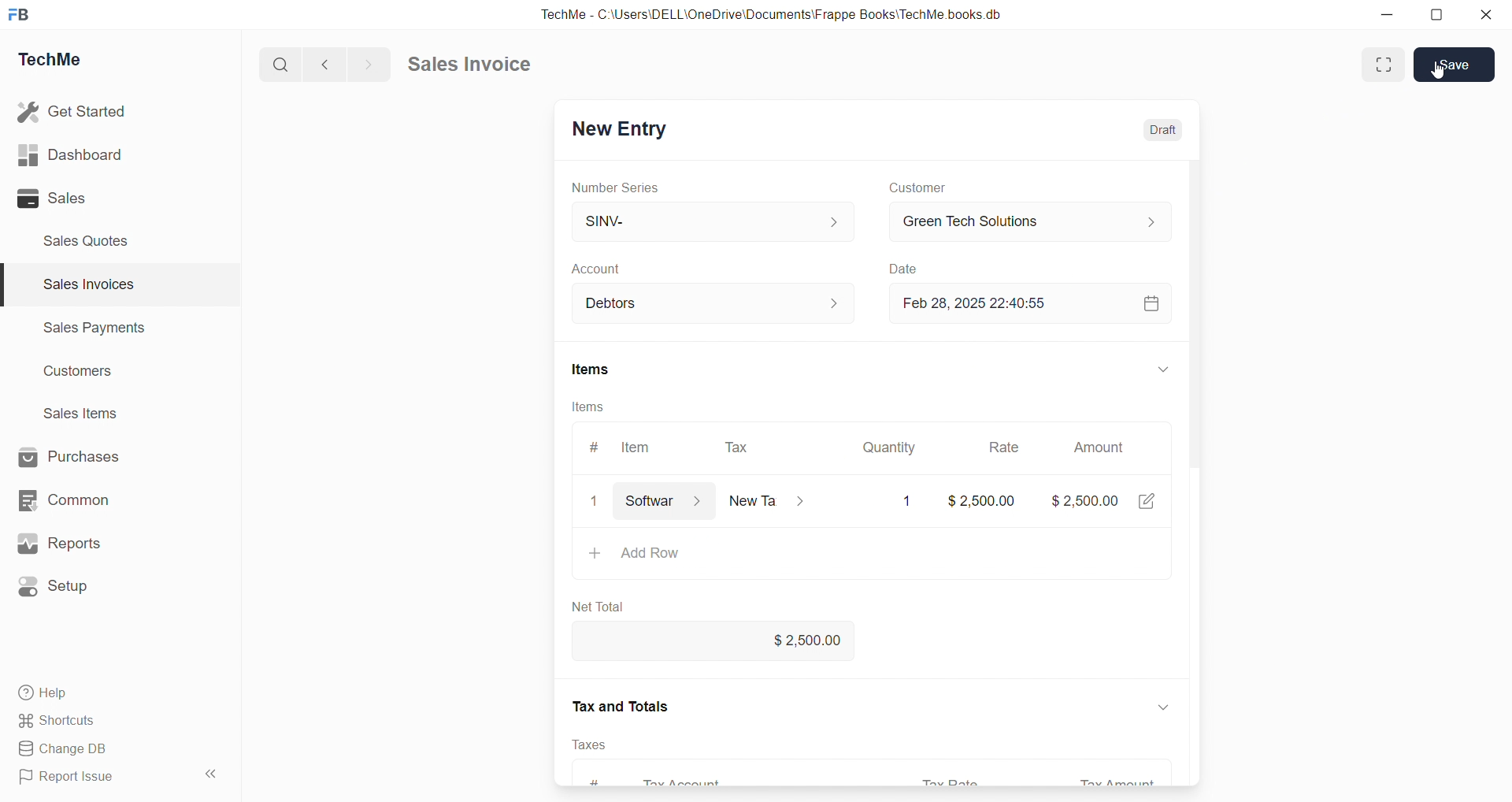  What do you see at coordinates (962, 782) in the screenshot?
I see `Tax rate` at bounding box center [962, 782].